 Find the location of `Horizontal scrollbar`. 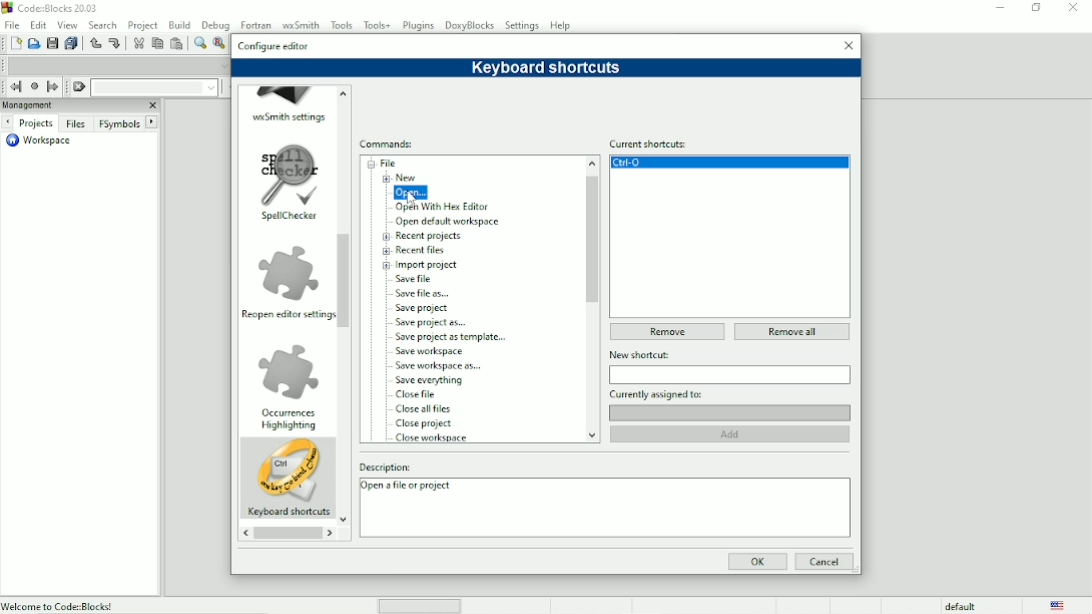

Horizontal scrollbar is located at coordinates (287, 535).